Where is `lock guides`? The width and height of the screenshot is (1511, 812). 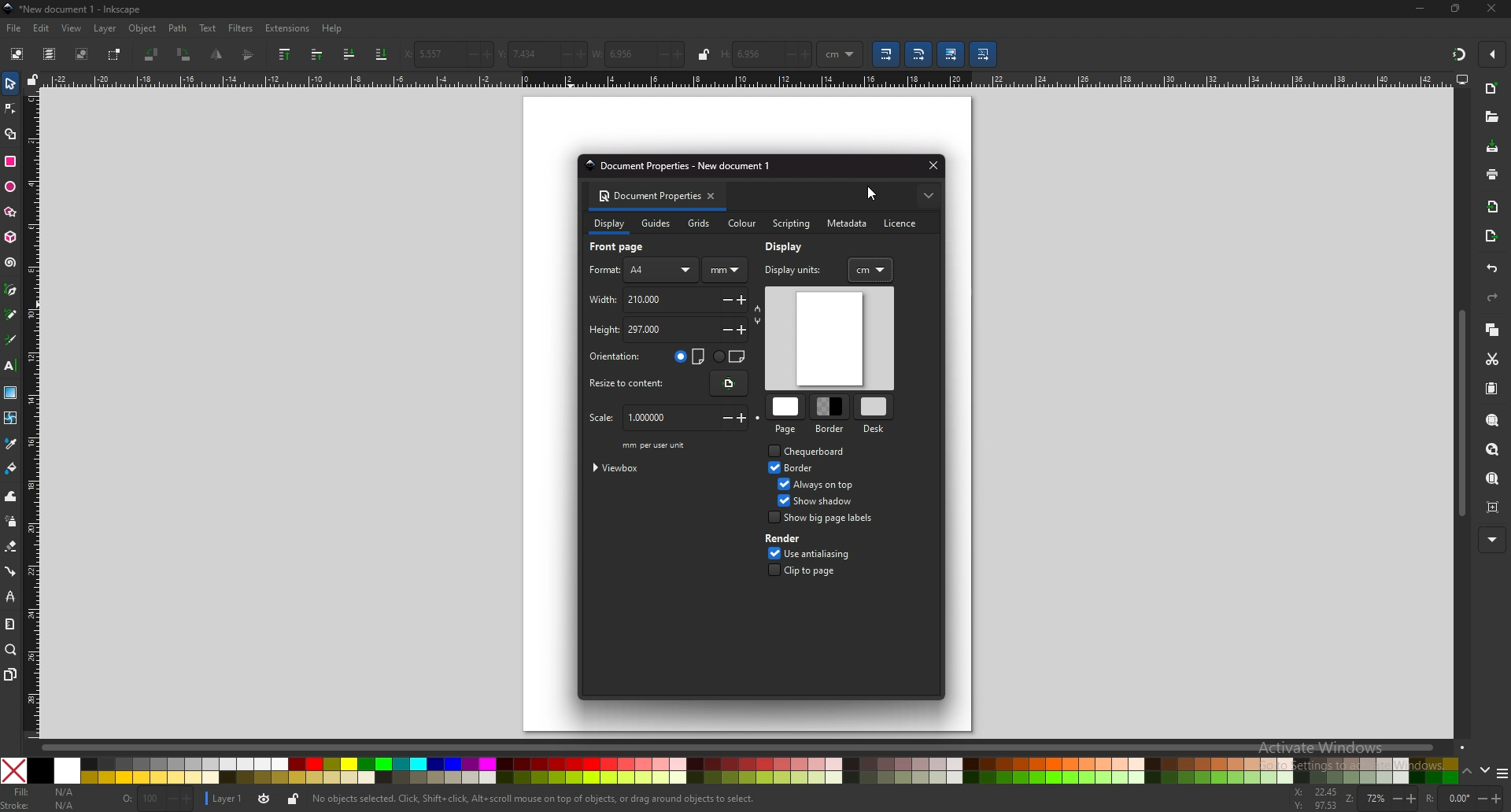 lock guides is located at coordinates (32, 80).